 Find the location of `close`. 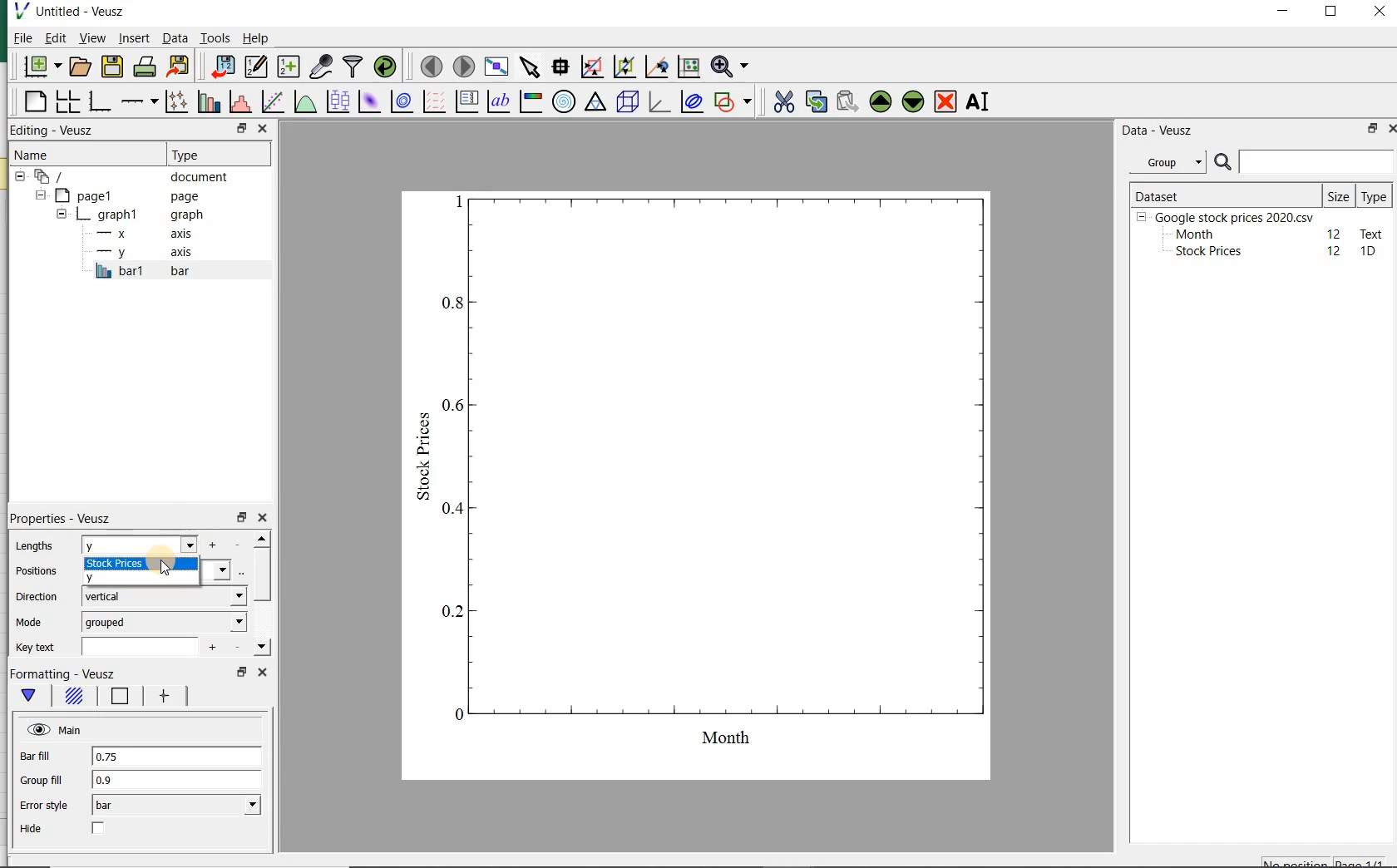

close is located at coordinates (1380, 12).